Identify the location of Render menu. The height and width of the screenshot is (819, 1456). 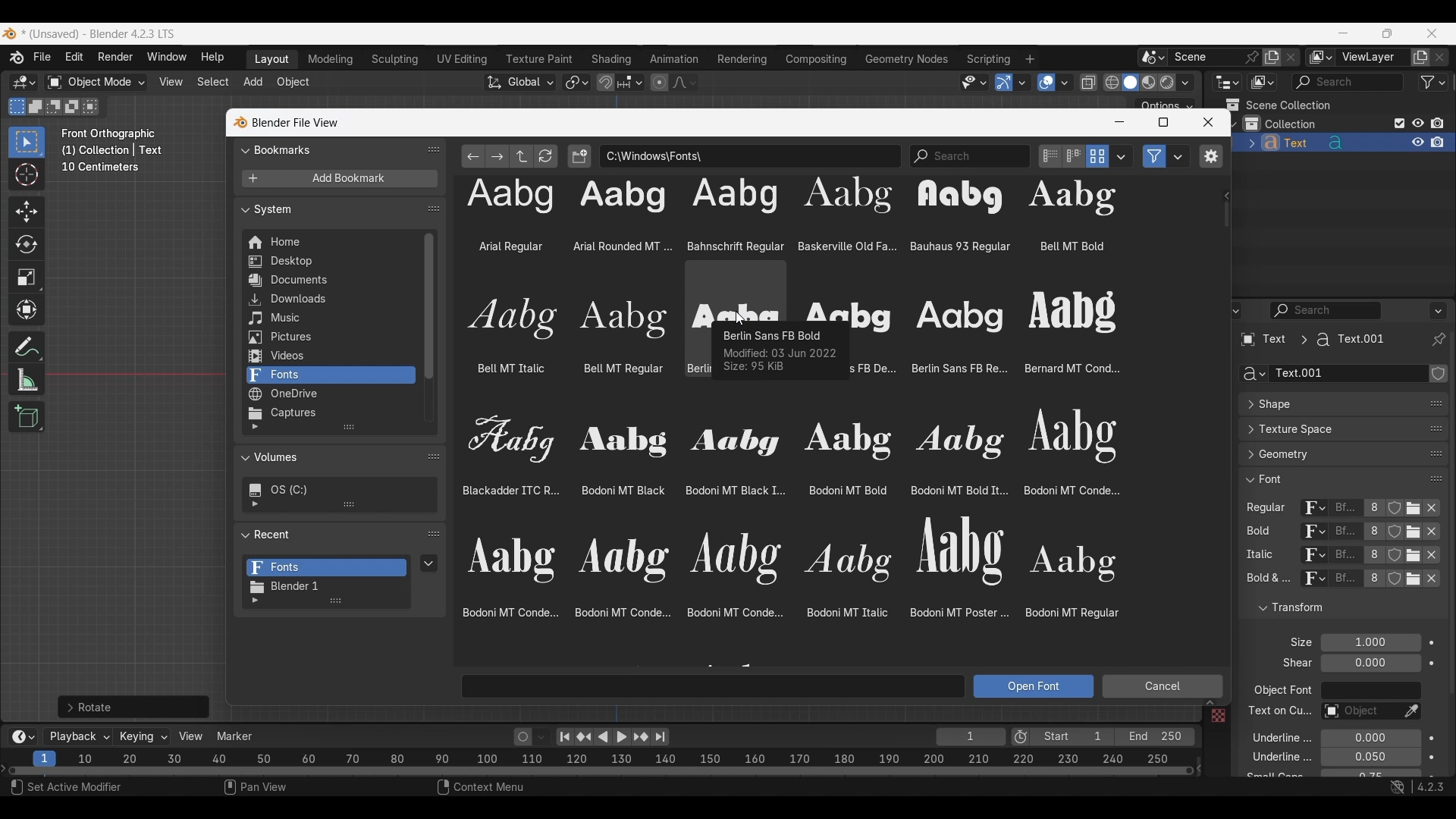
(115, 58).